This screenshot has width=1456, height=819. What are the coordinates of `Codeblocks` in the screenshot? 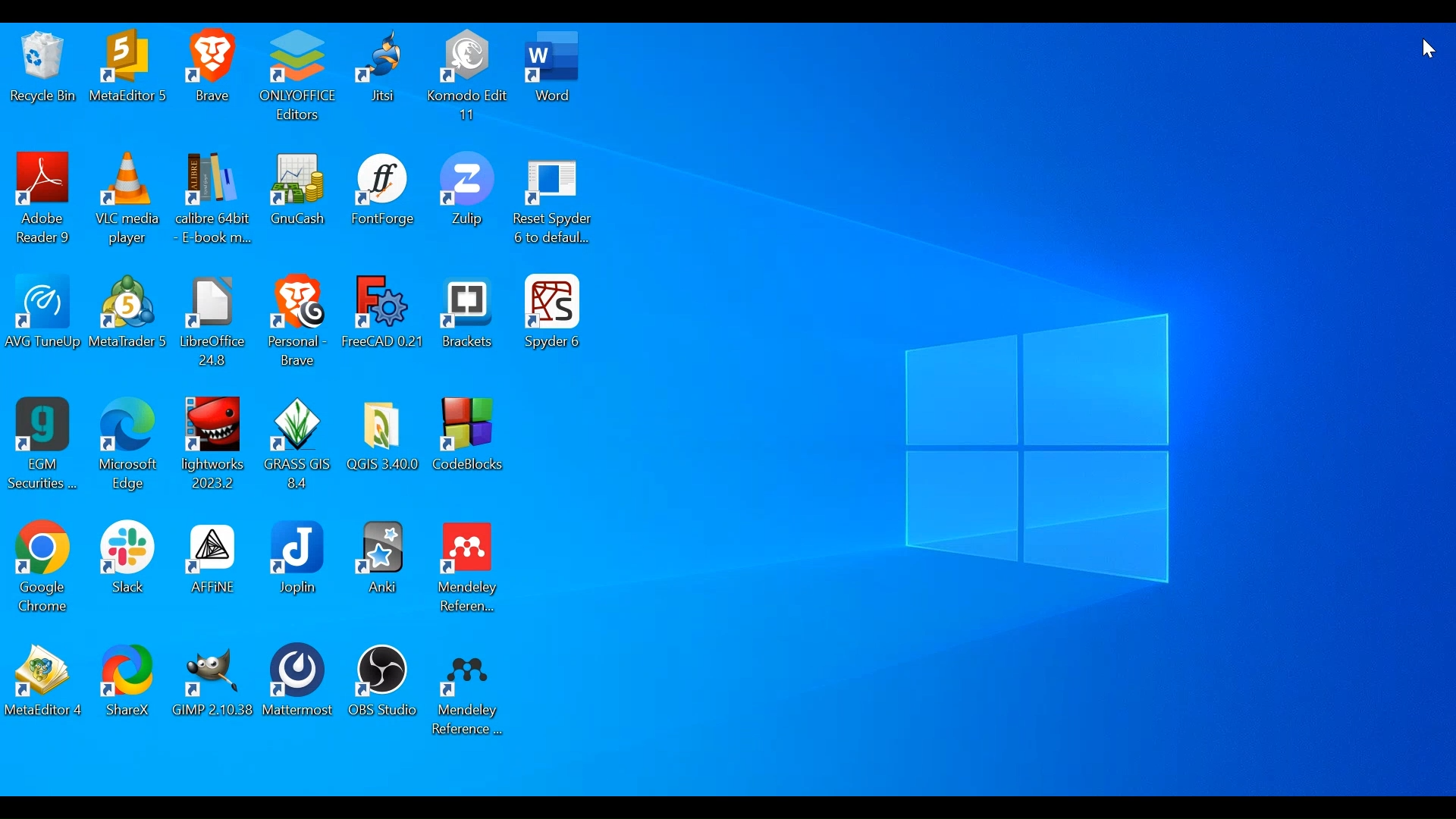 It's located at (471, 444).